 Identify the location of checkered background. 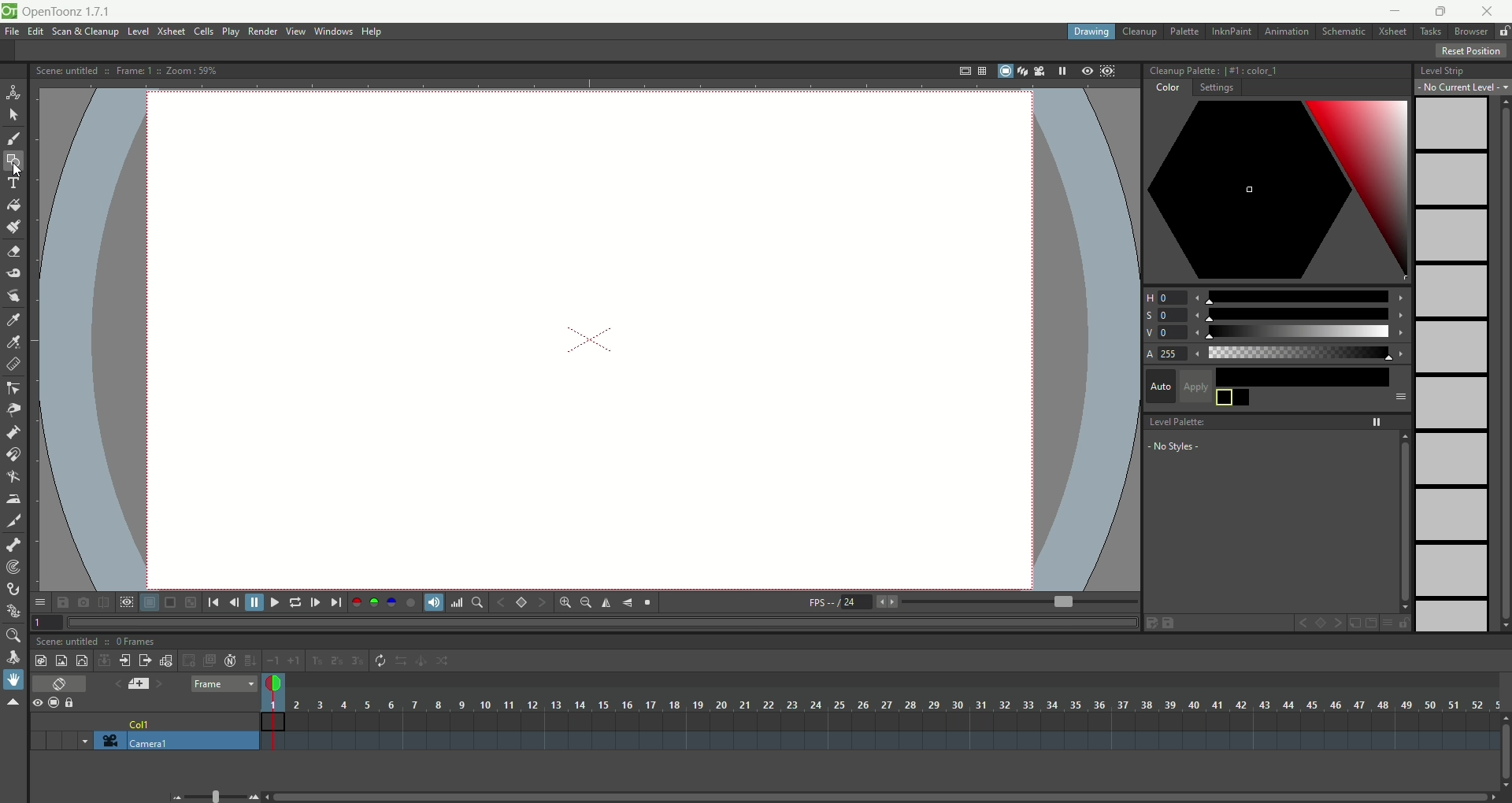
(192, 602).